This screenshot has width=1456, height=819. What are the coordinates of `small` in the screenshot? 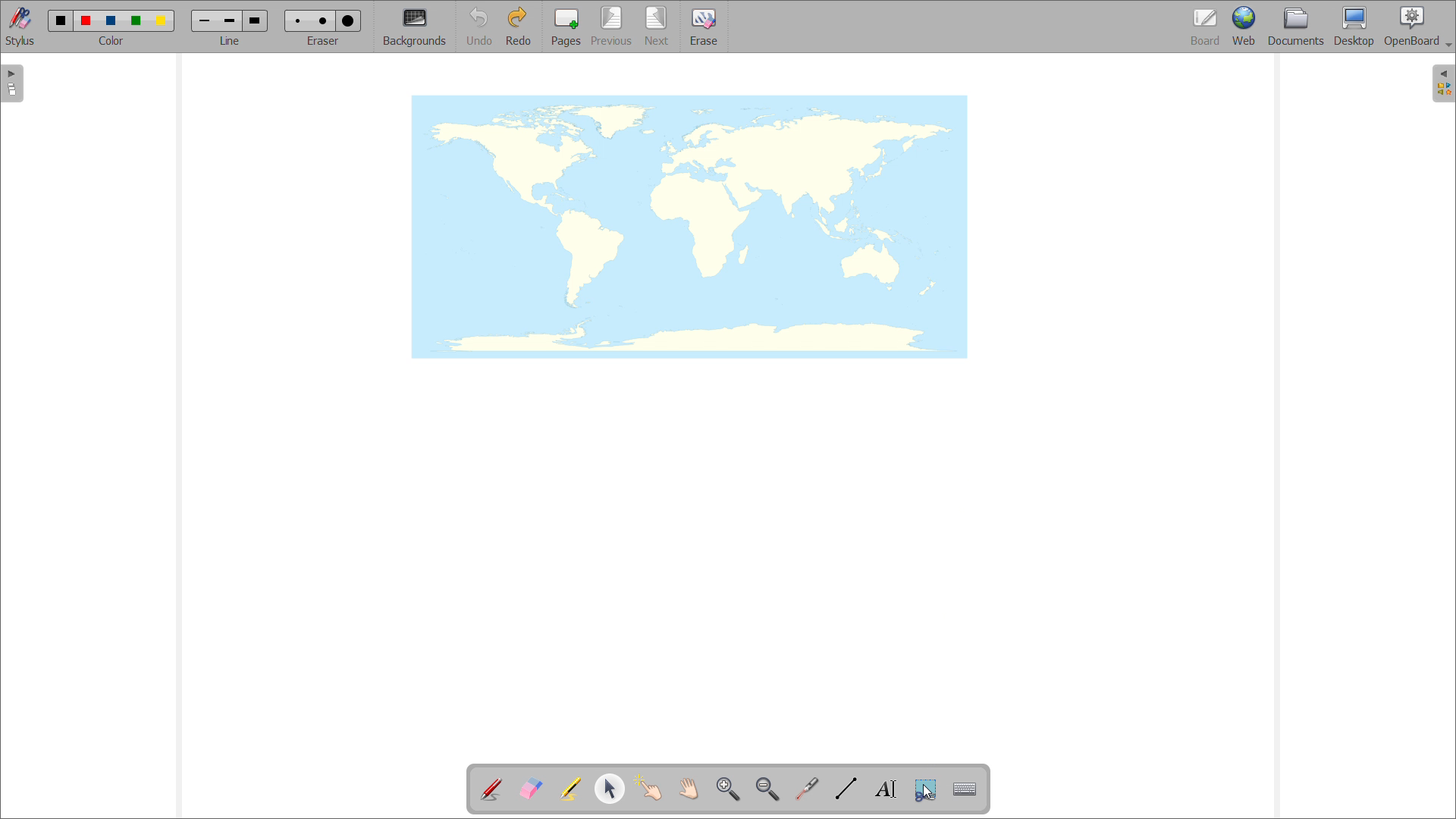 It's located at (205, 20).